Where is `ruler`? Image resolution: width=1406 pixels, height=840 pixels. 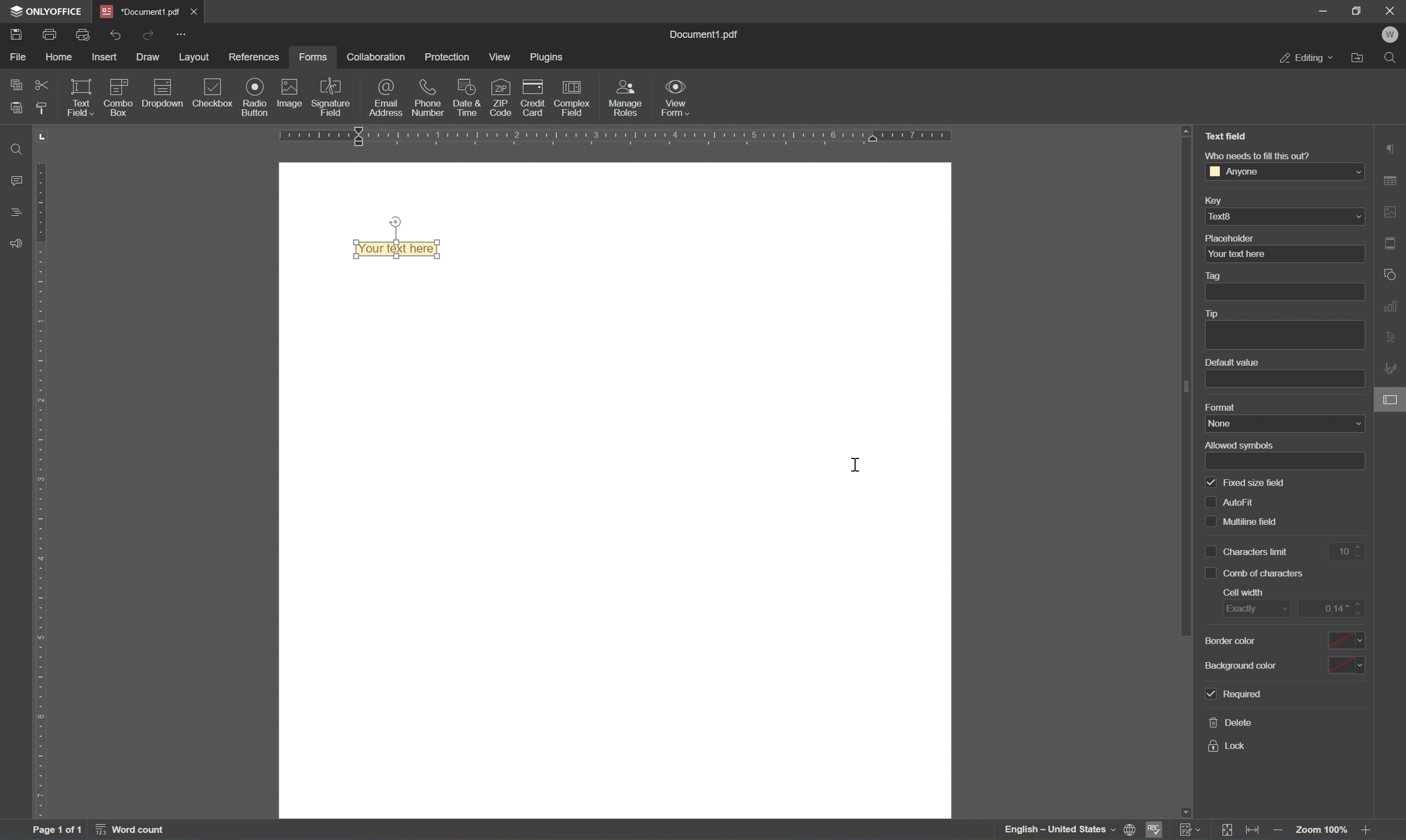 ruler is located at coordinates (610, 137).